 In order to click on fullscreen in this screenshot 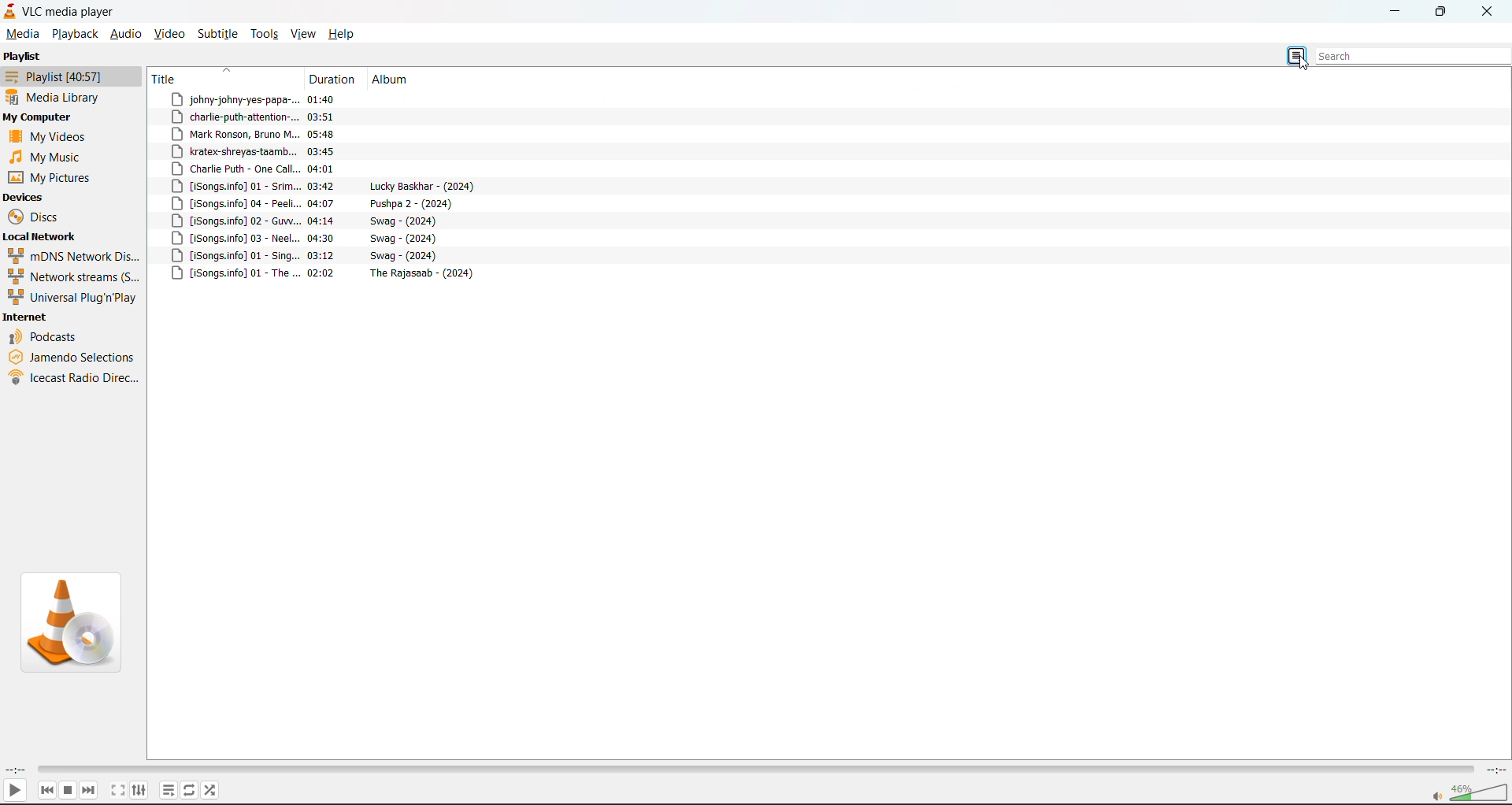, I will do `click(116, 788)`.